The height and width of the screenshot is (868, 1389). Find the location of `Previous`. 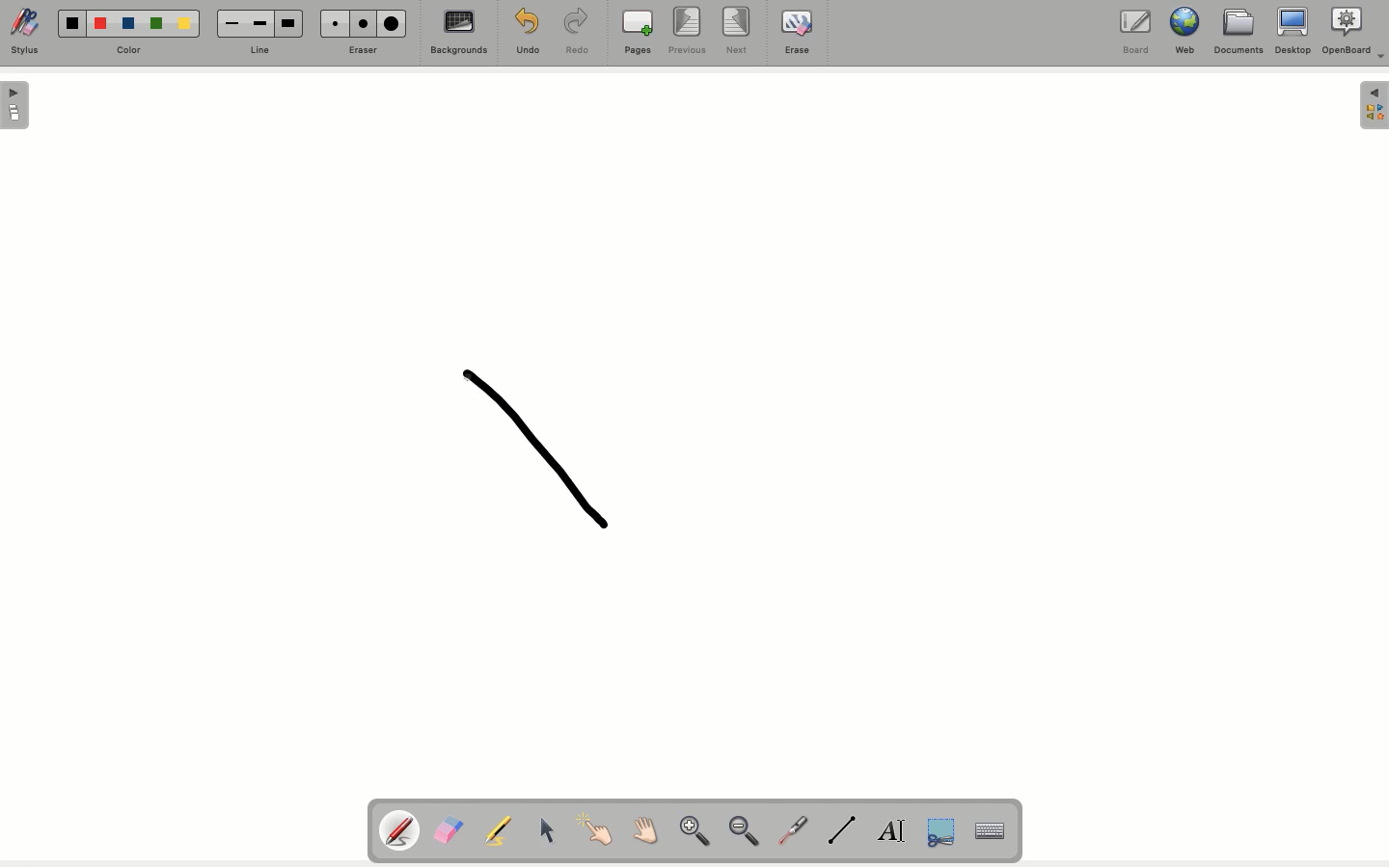

Previous is located at coordinates (690, 33).